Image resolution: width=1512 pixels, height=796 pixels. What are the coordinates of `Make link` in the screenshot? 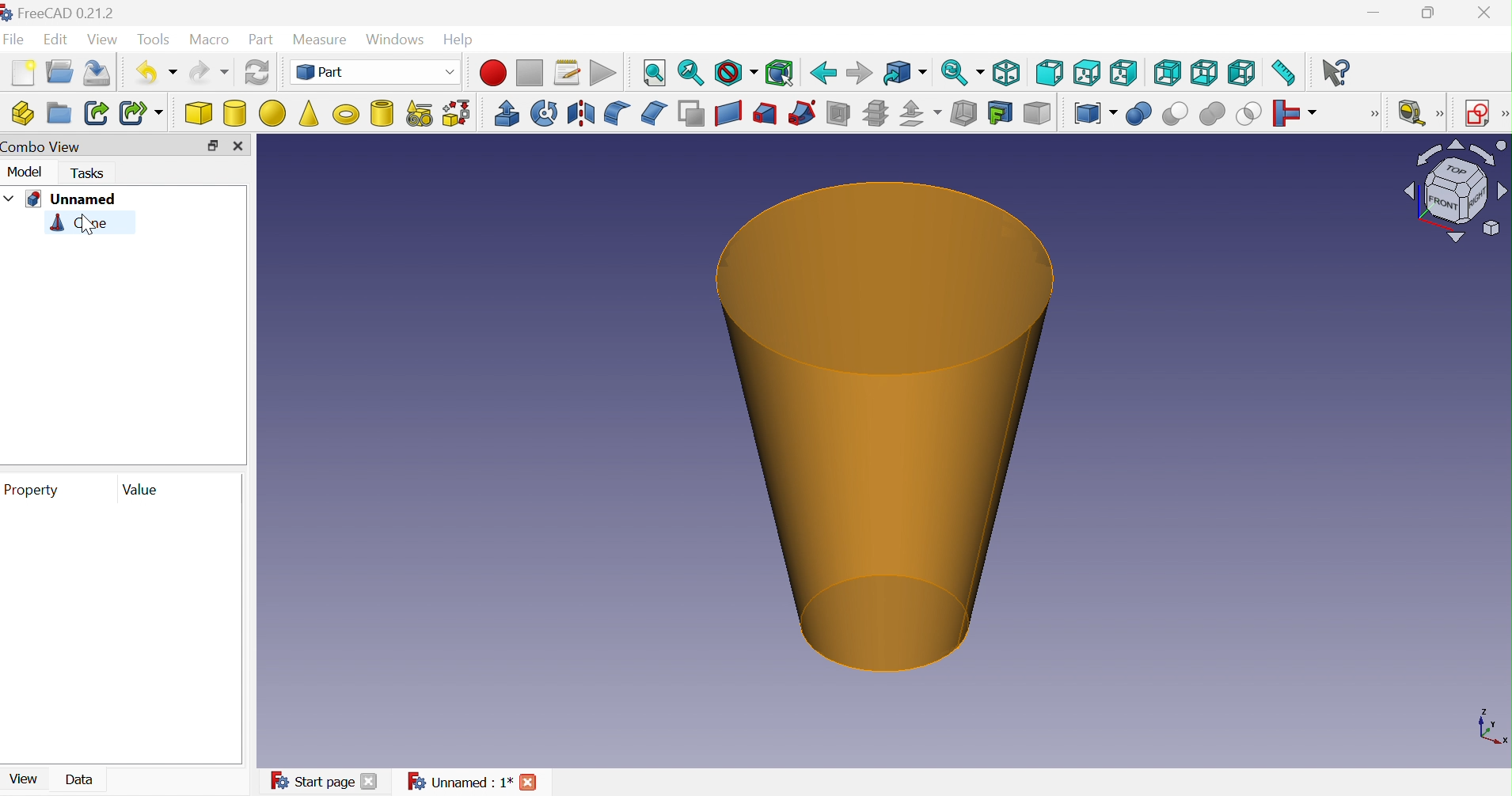 It's located at (95, 112).